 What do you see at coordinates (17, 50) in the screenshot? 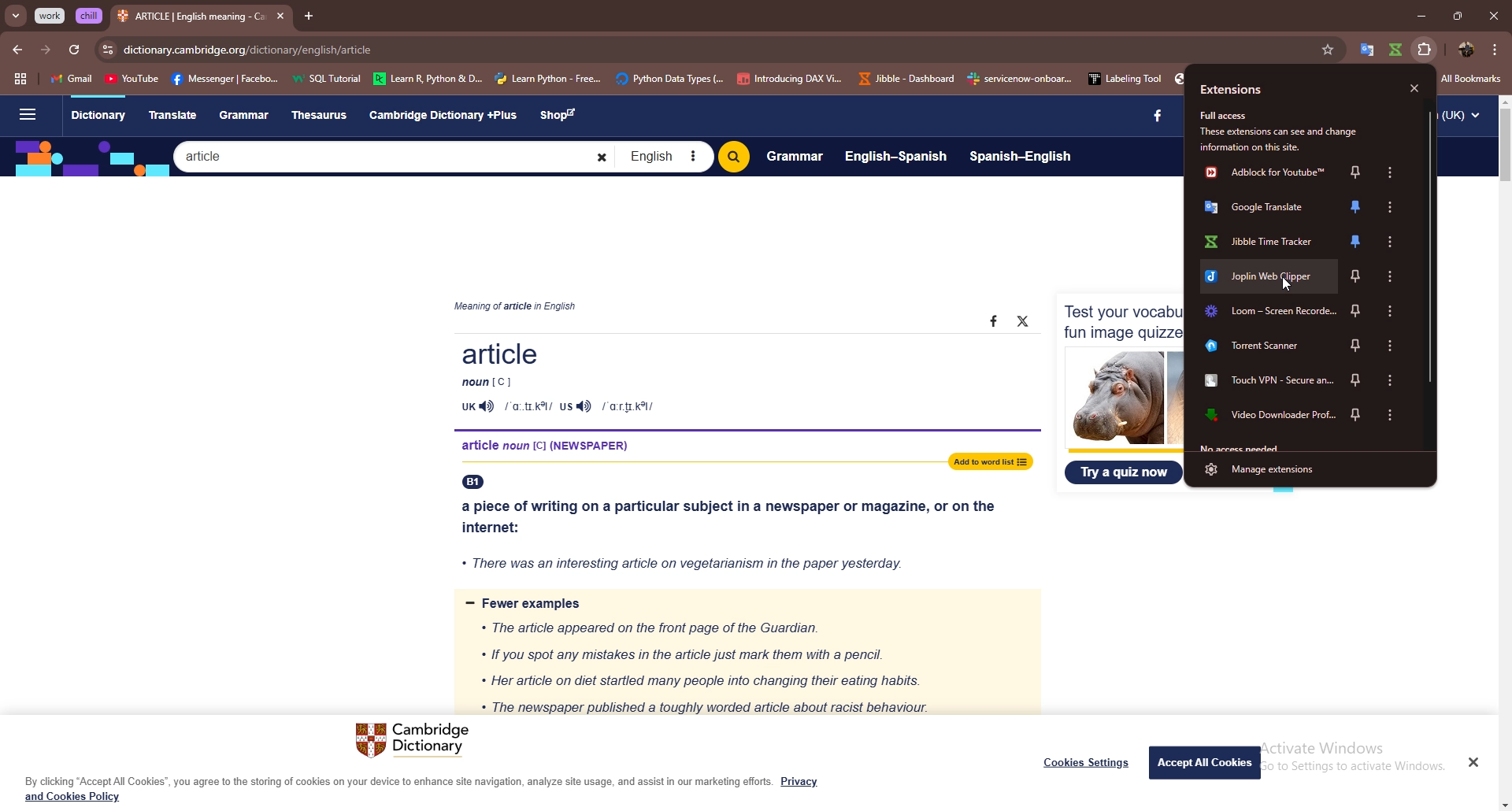
I see `back` at bounding box center [17, 50].